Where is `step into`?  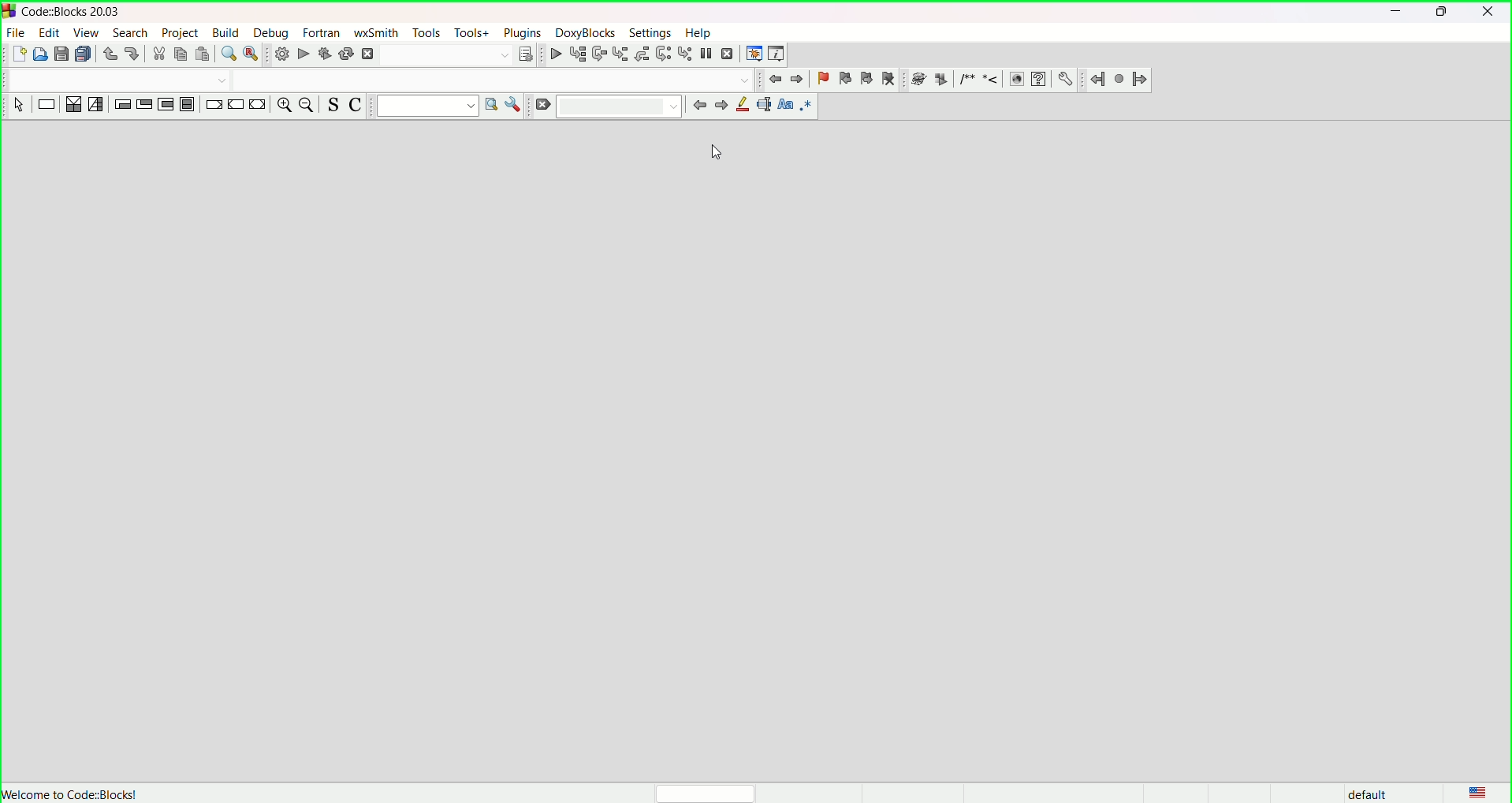
step into is located at coordinates (620, 53).